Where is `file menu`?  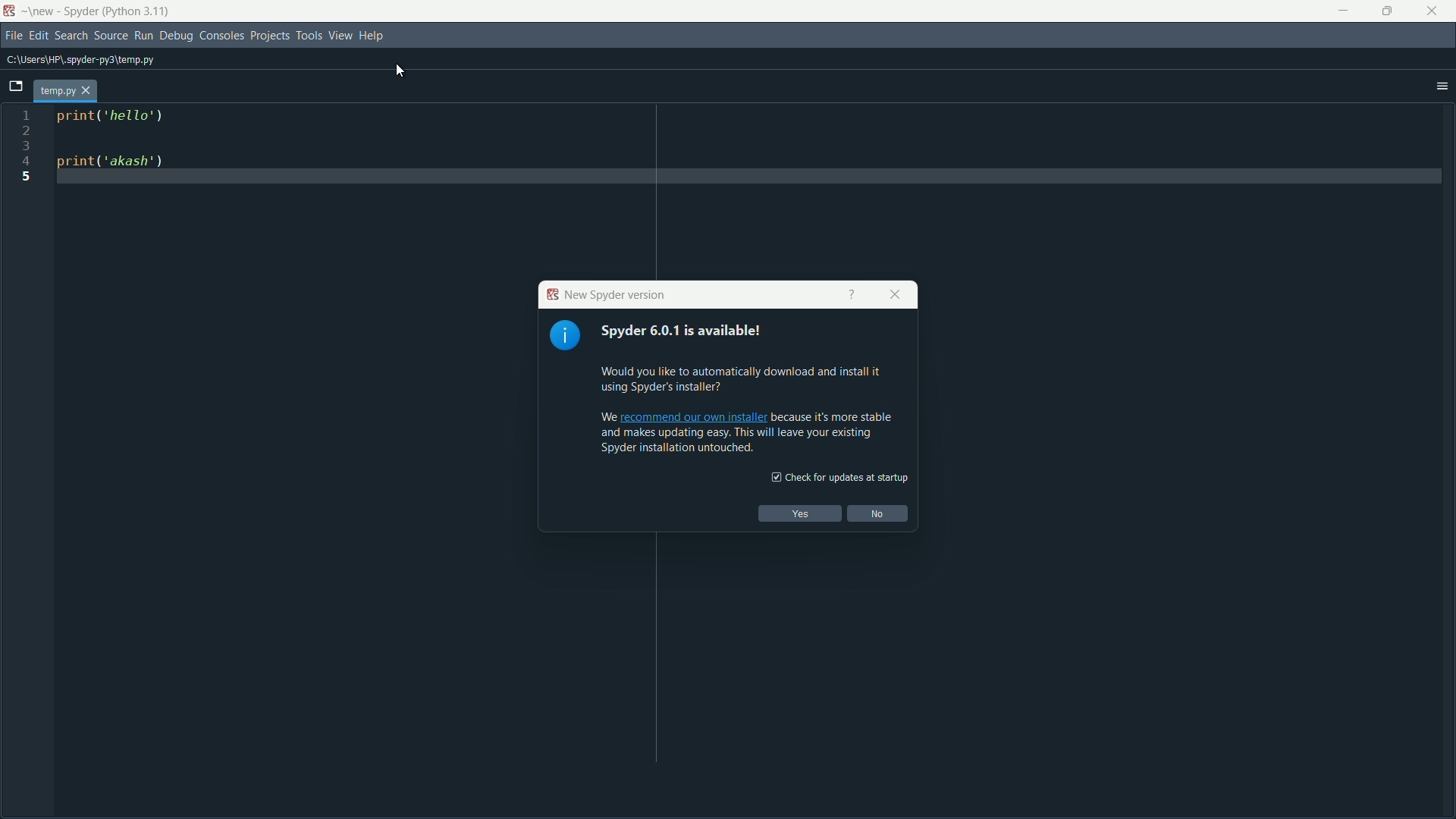 file menu is located at coordinates (14, 34).